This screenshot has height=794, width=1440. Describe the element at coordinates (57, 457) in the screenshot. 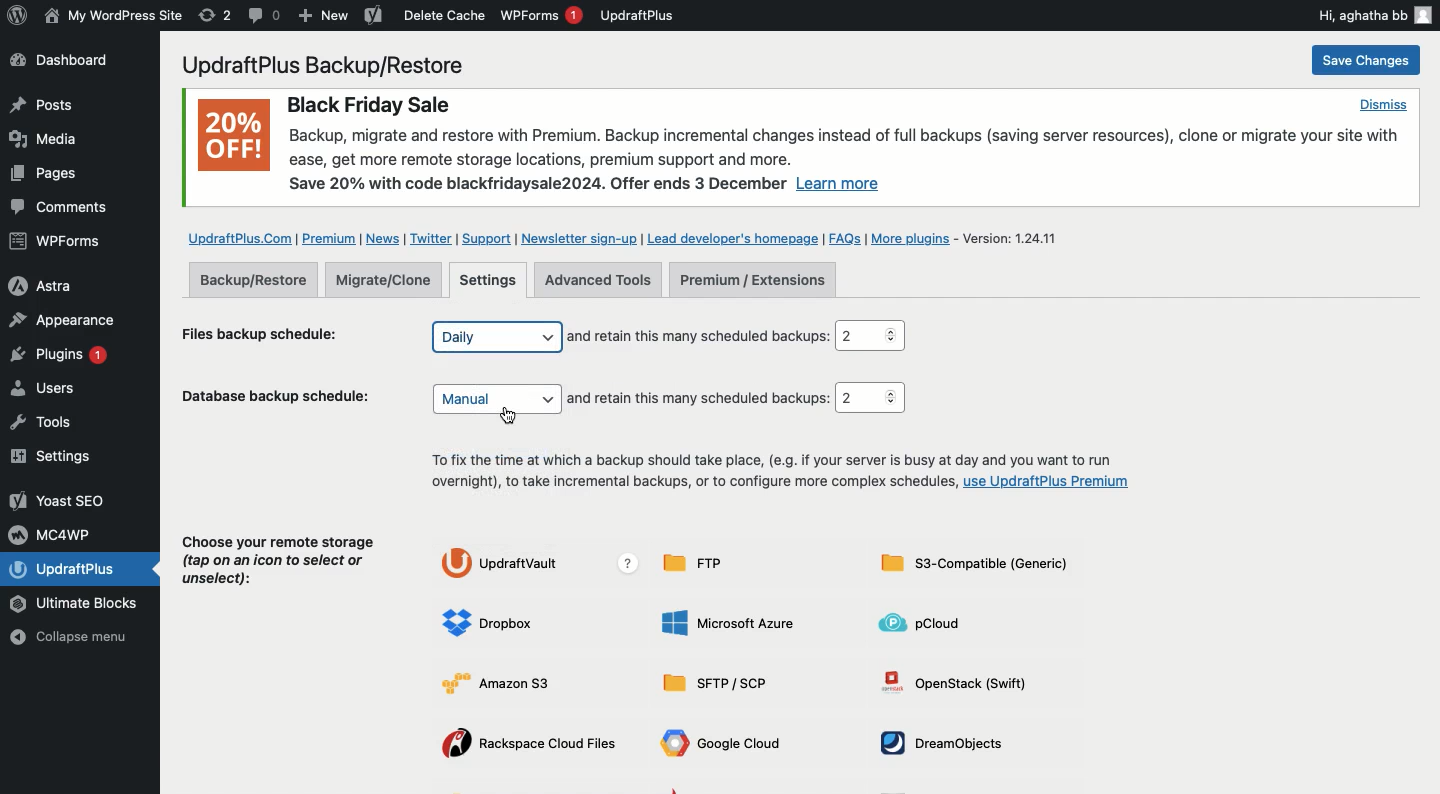

I see `Settings` at that location.